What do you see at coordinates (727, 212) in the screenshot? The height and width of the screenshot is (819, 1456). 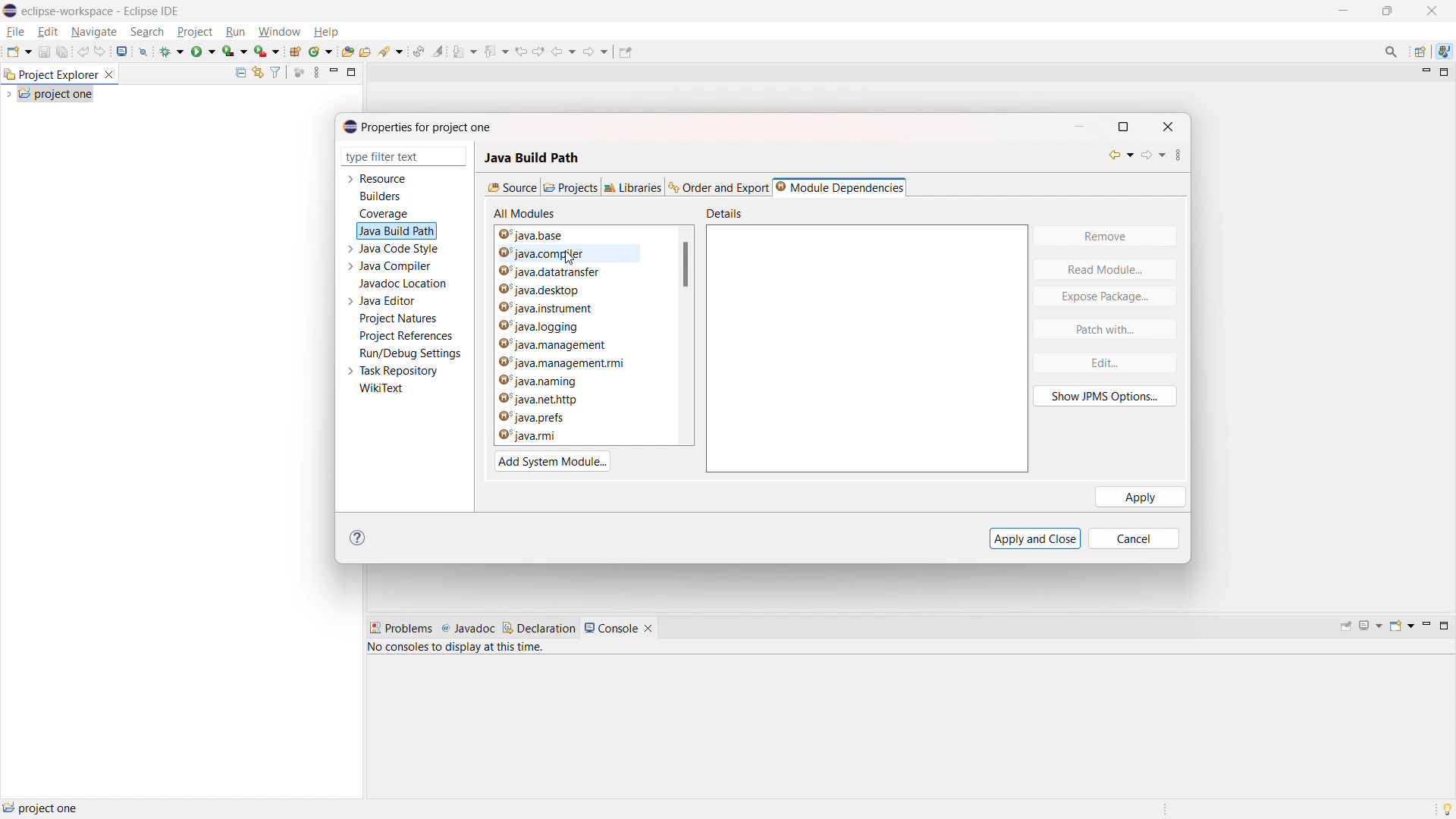 I see `details` at bounding box center [727, 212].